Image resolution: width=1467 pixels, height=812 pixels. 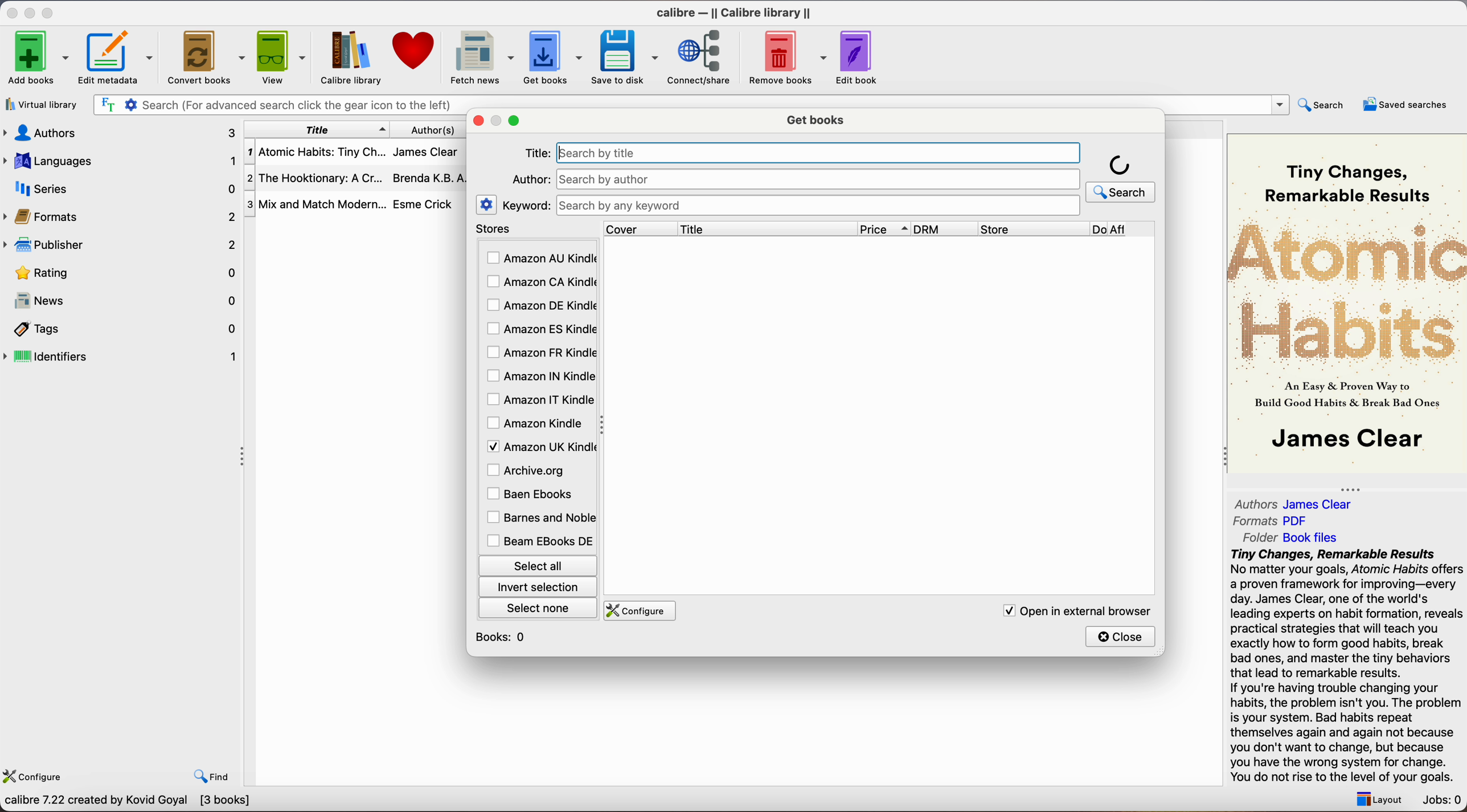 I want to click on Amazon ES Kindle, so click(x=540, y=329).